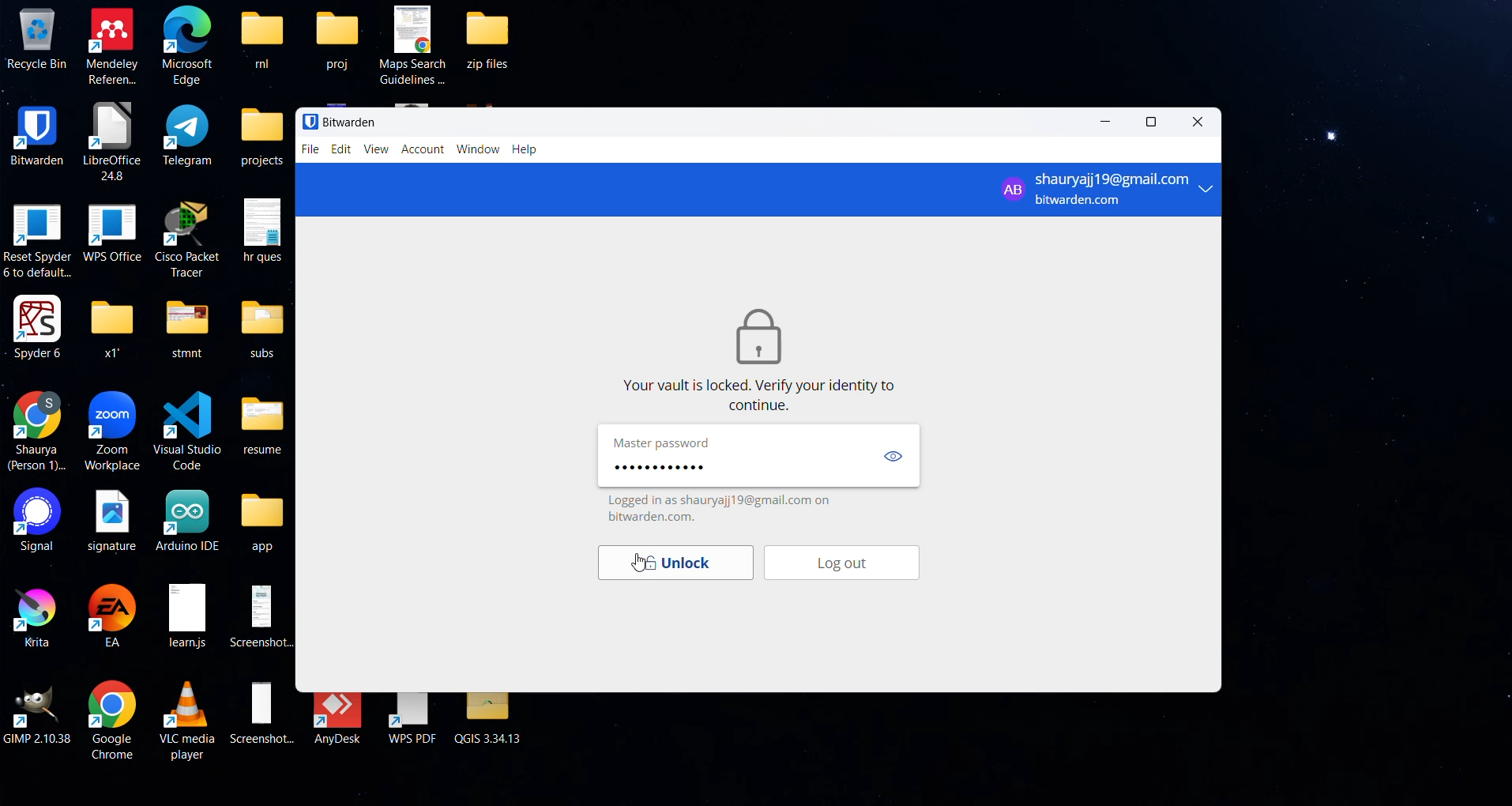  What do you see at coordinates (38, 326) in the screenshot?
I see `Spyder 6` at bounding box center [38, 326].